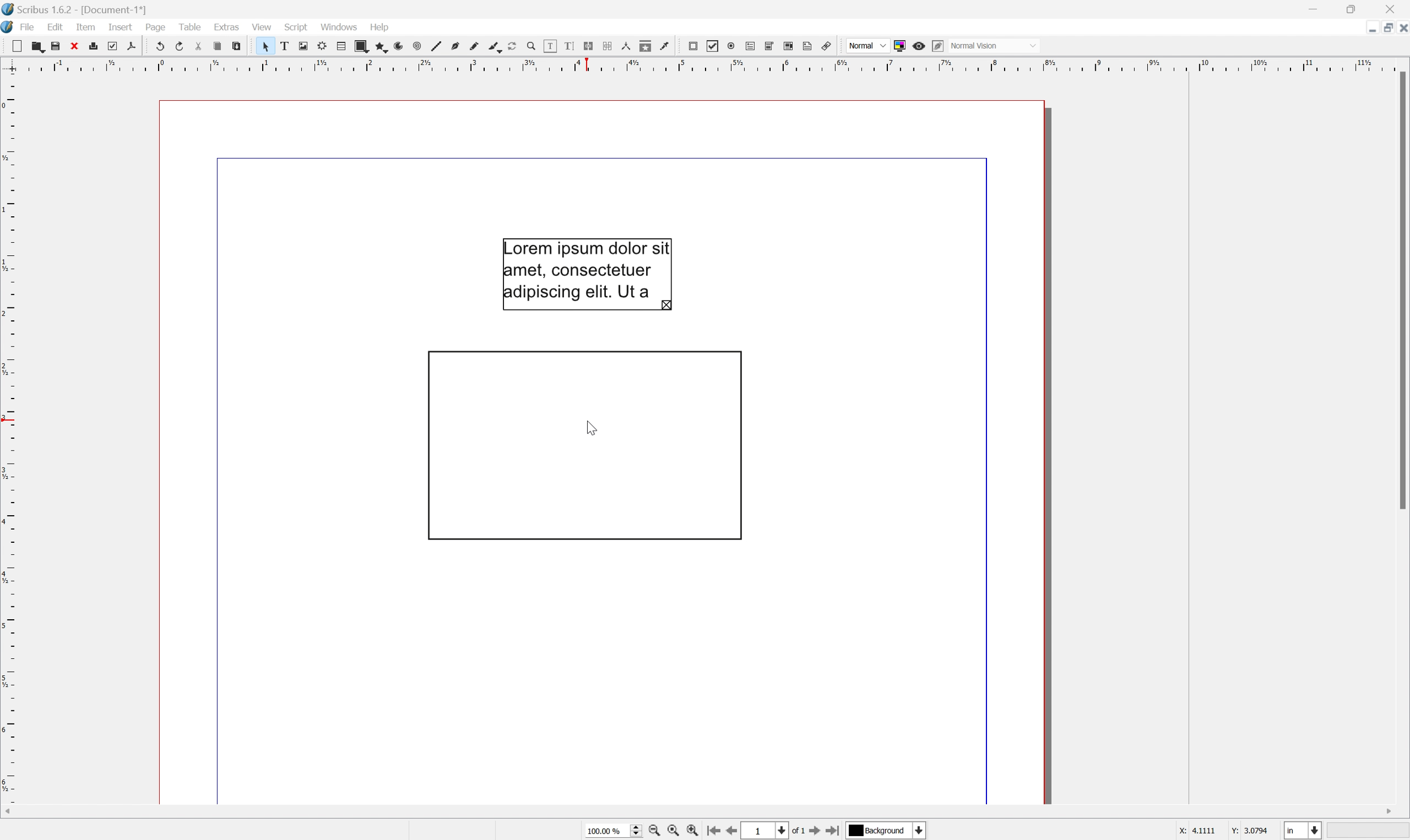 This screenshot has height=840, width=1410. Describe the element at coordinates (399, 46) in the screenshot. I see `Arc` at that location.